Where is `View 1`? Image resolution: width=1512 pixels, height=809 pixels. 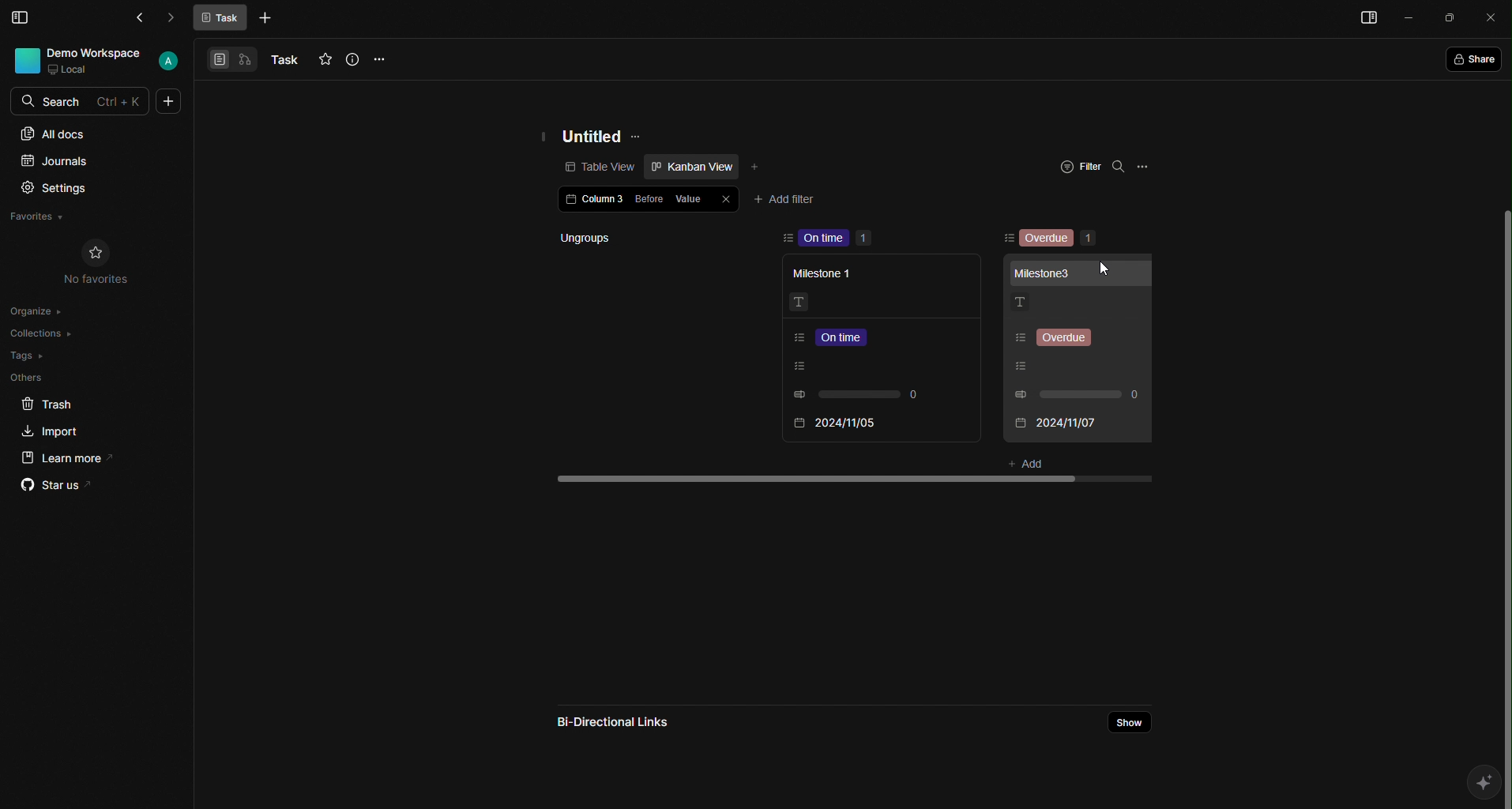
View 1 is located at coordinates (215, 58).